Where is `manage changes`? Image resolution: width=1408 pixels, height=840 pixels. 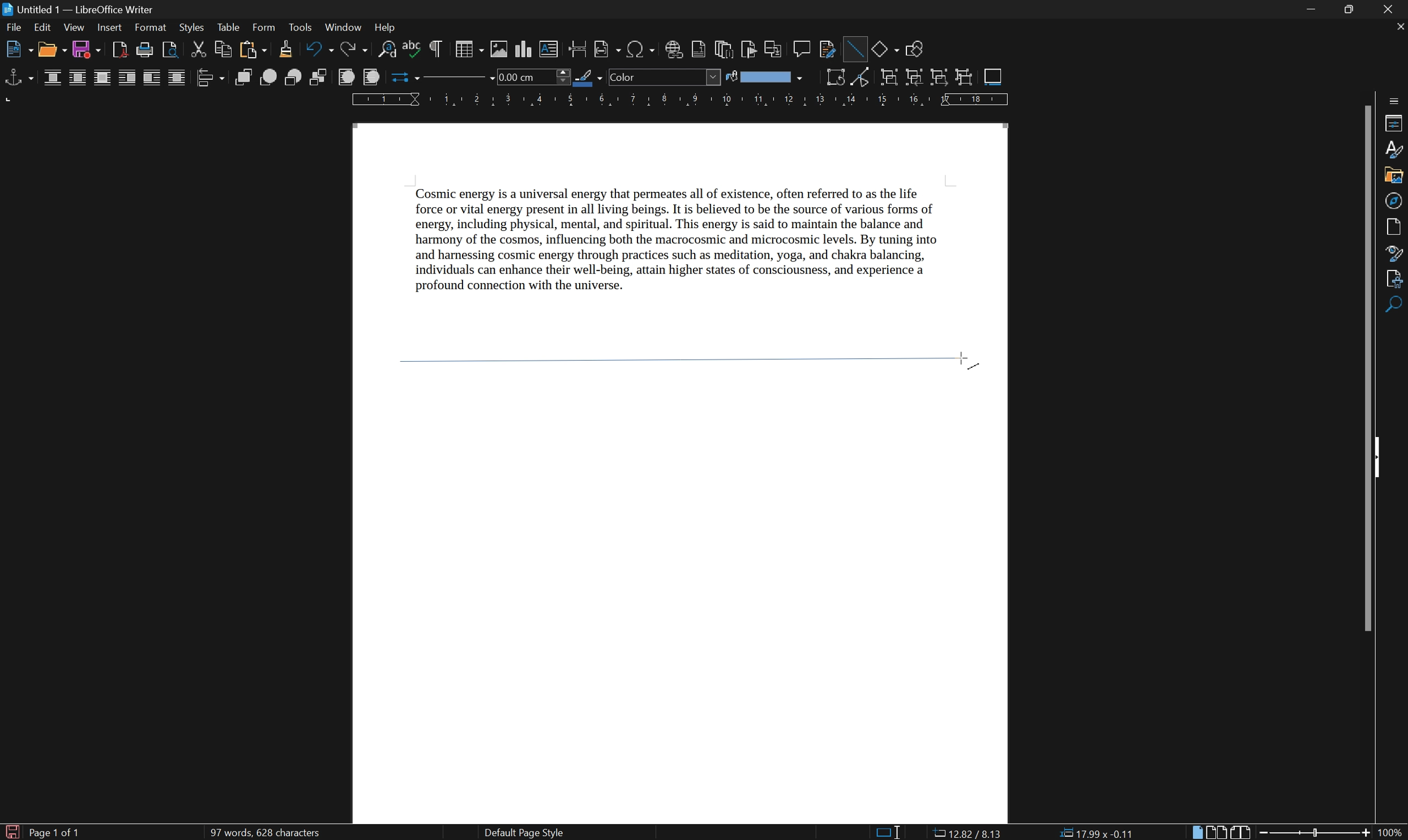 manage changes is located at coordinates (1397, 279).